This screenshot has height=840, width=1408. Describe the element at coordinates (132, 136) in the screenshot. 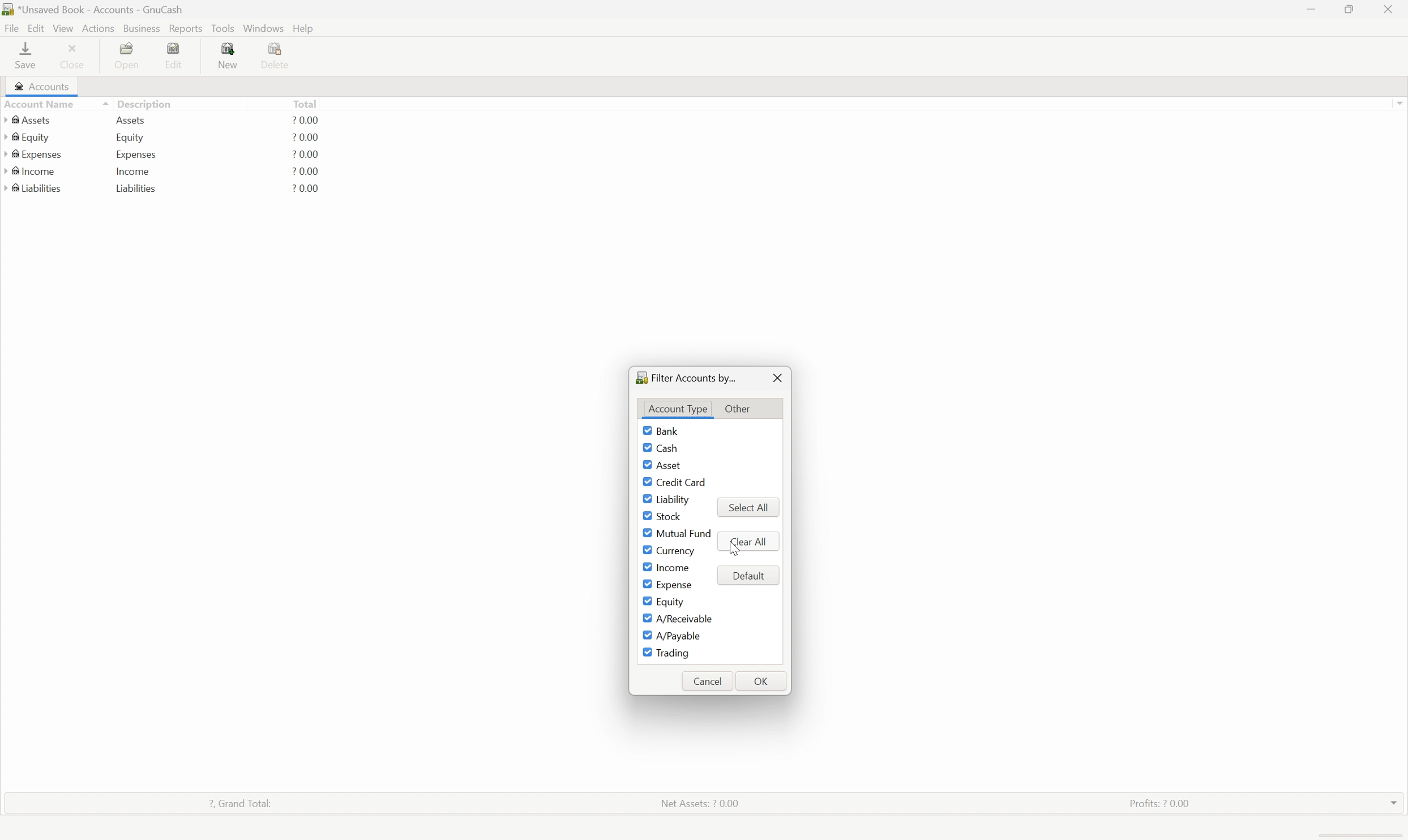

I see `Equity` at that location.